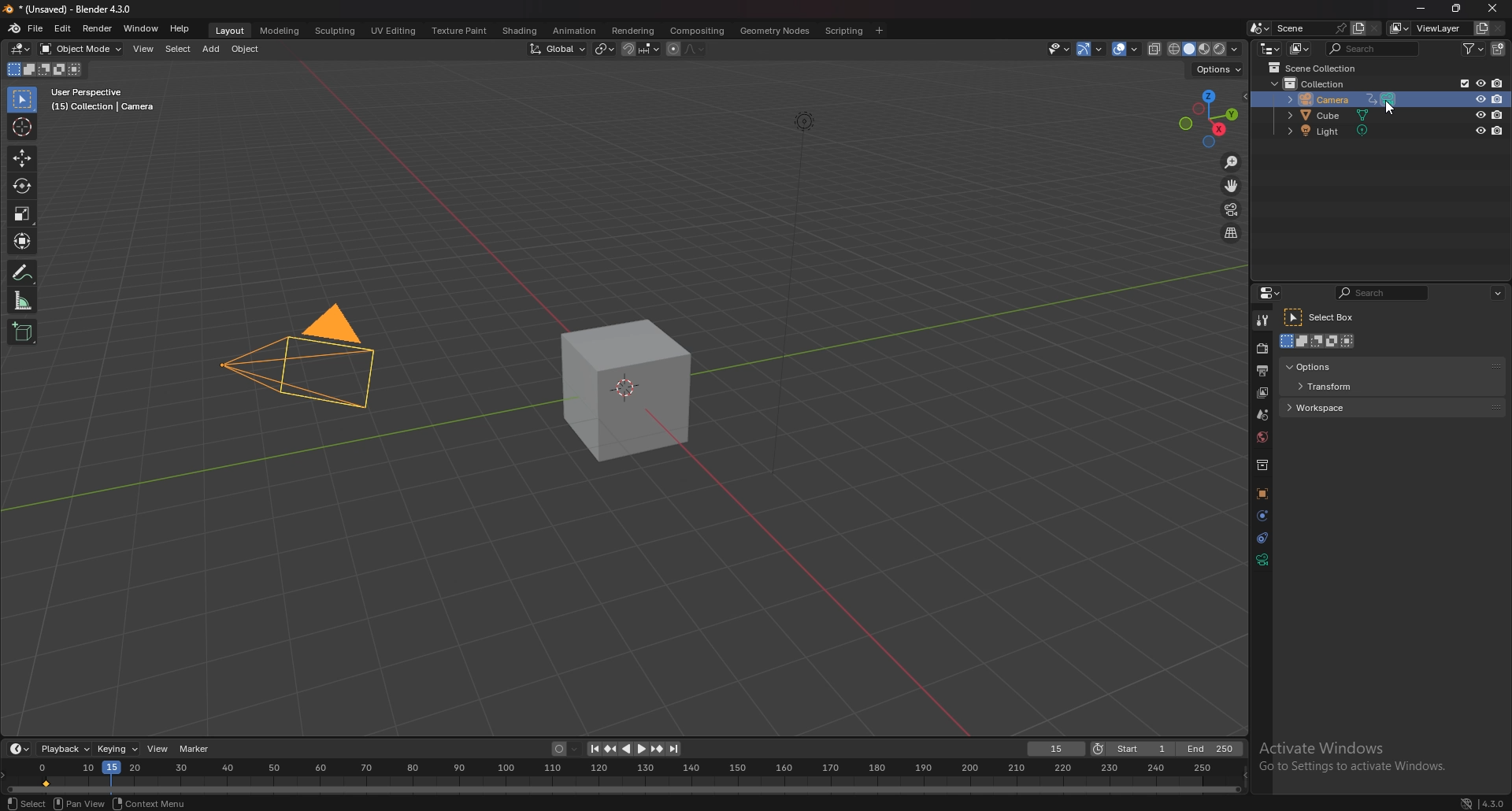  Describe the element at coordinates (520, 30) in the screenshot. I see `shading` at that location.